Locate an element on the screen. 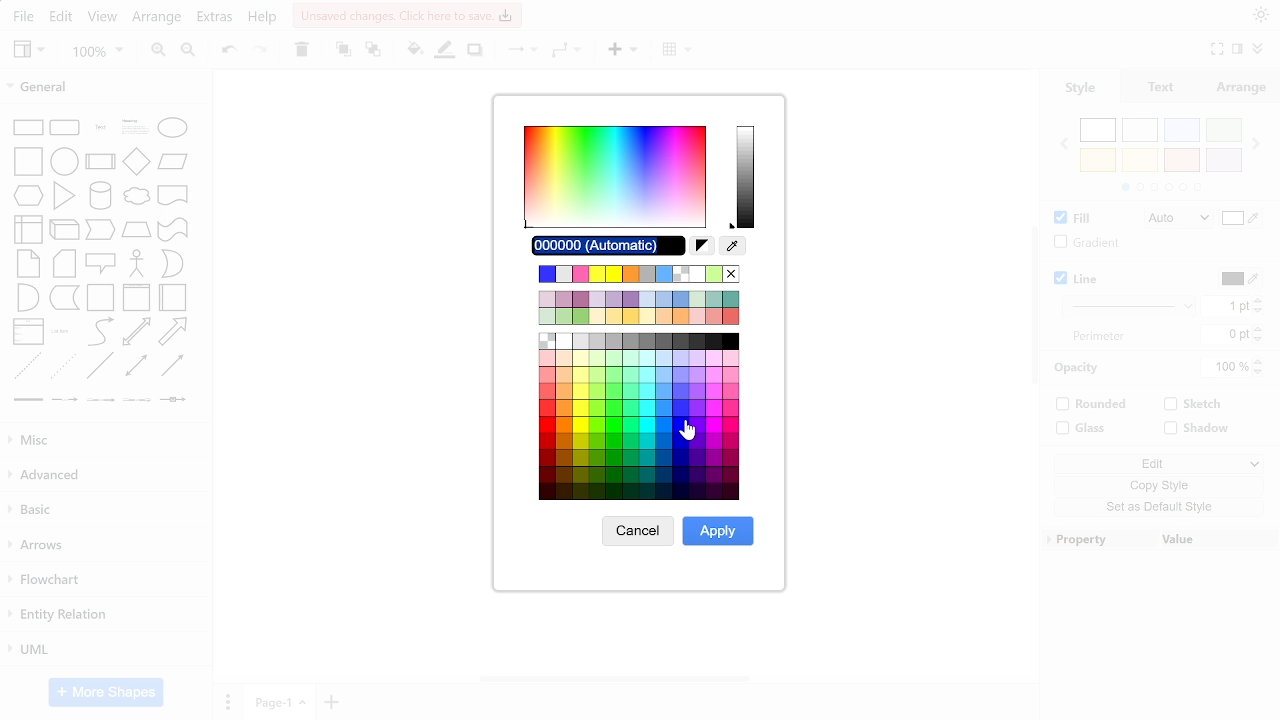 The width and height of the screenshot is (1280, 720). table is located at coordinates (680, 51).